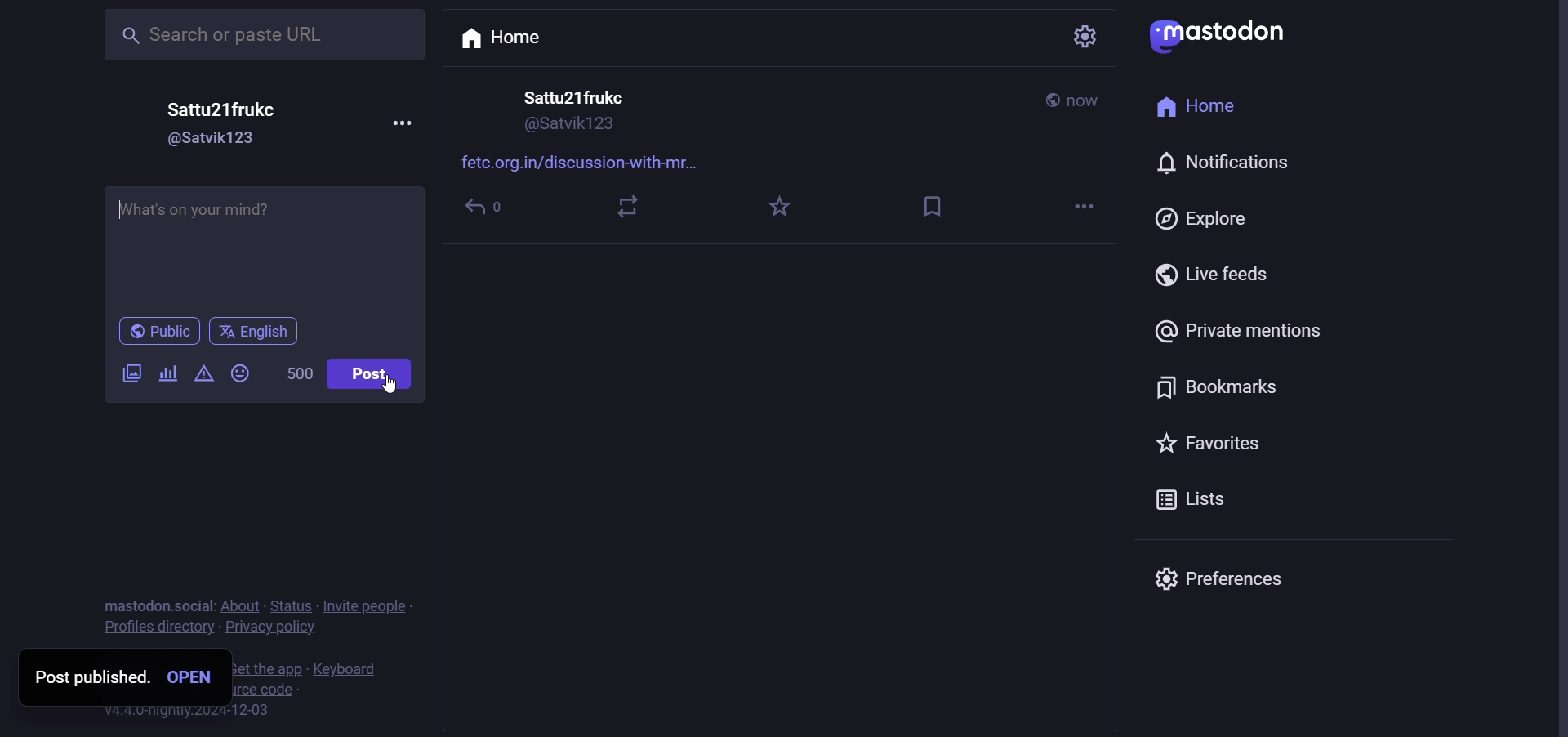  What do you see at coordinates (302, 375) in the screenshot?
I see `word limit` at bounding box center [302, 375].